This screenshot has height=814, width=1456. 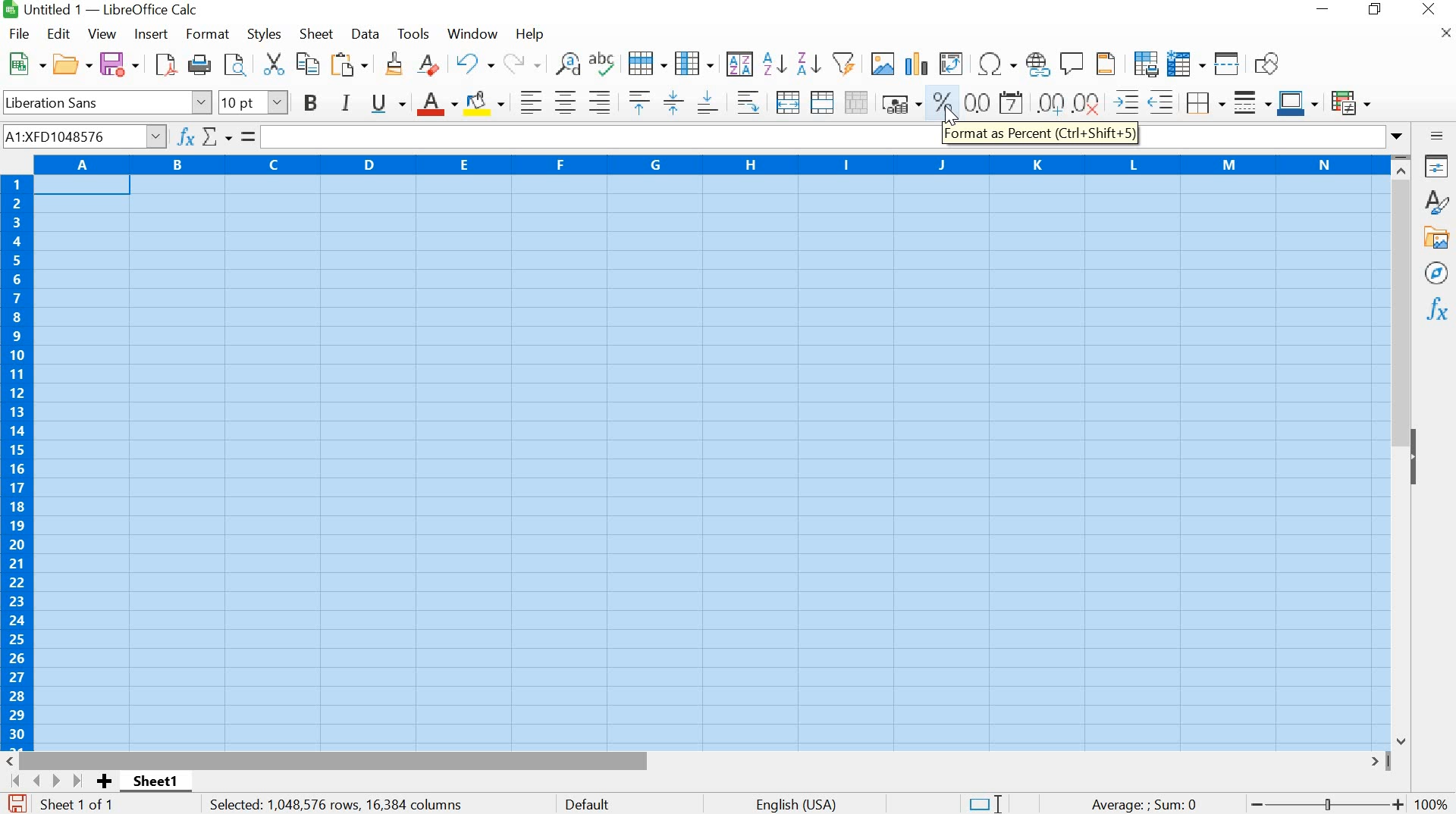 I want to click on UNDERLINE, so click(x=388, y=103).